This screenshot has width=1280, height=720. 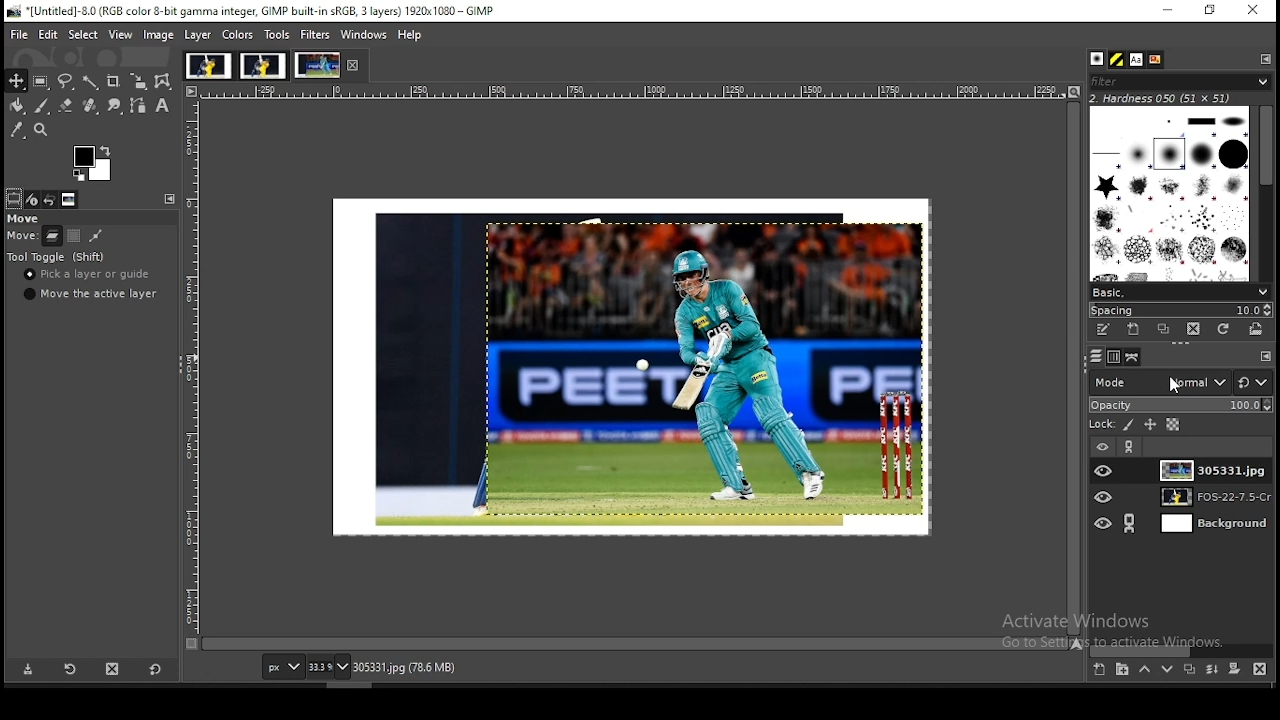 What do you see at coordinates (91, 162) in the screenshot?
I see `color` at bounding box center [91, 162].